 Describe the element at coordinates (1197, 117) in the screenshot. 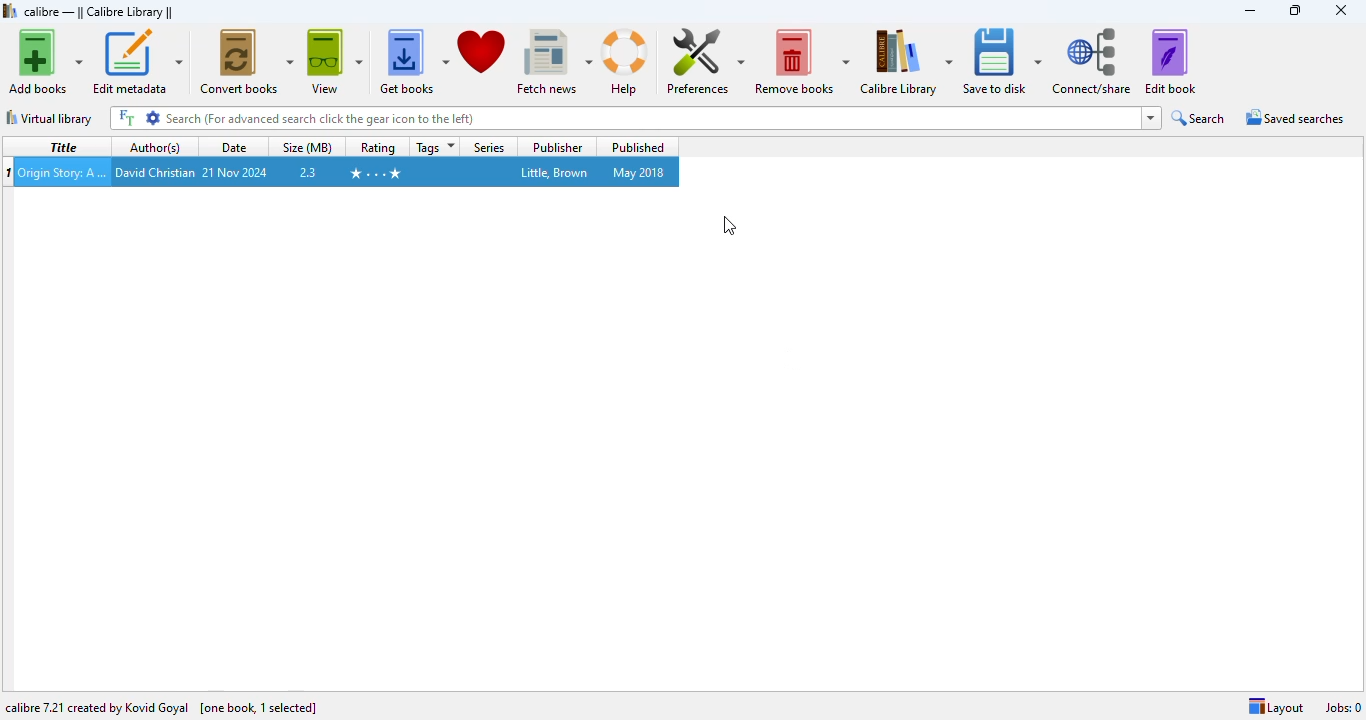

I see `search` at that location.